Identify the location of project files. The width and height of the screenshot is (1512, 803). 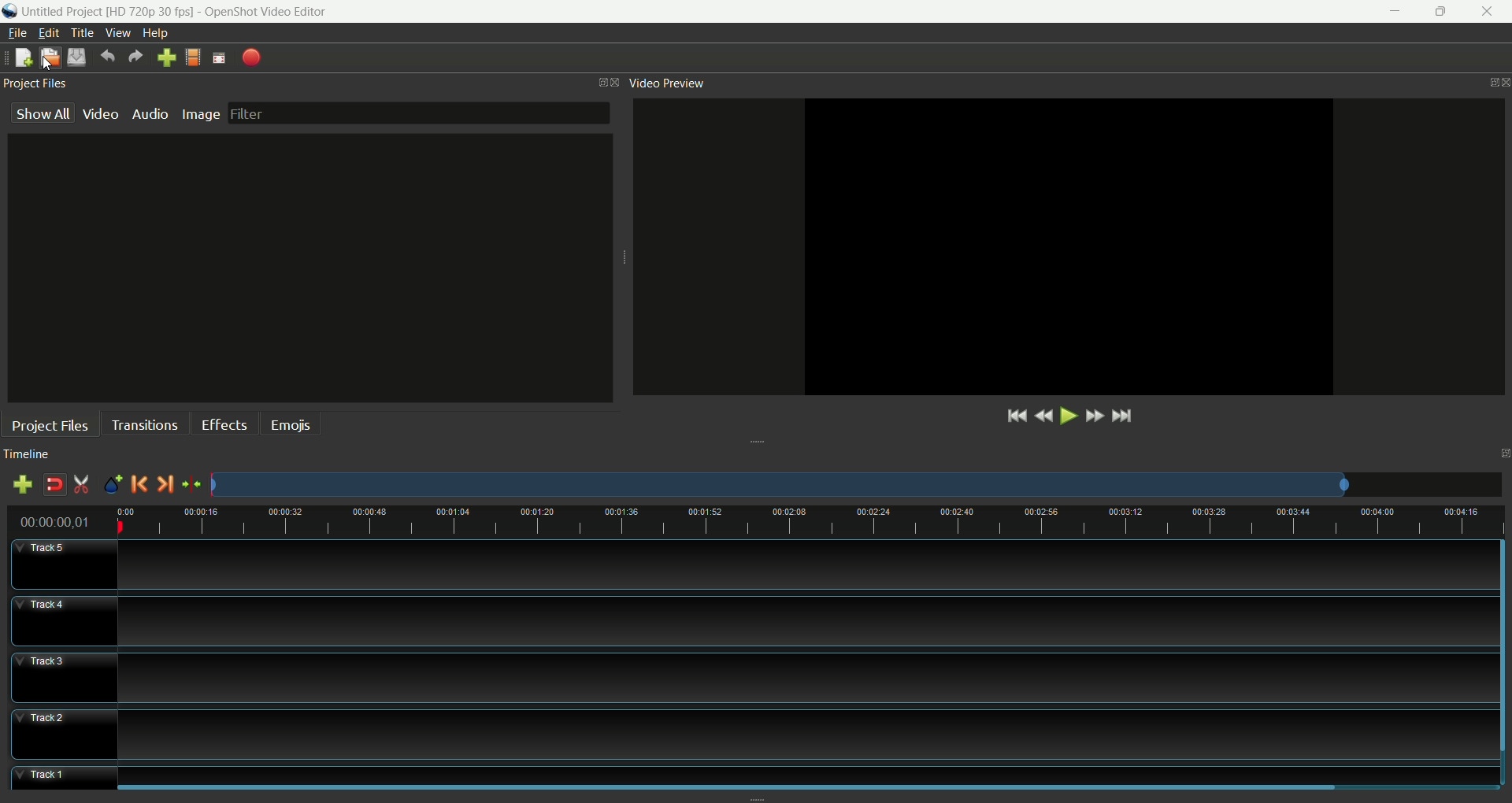
(49, 423).